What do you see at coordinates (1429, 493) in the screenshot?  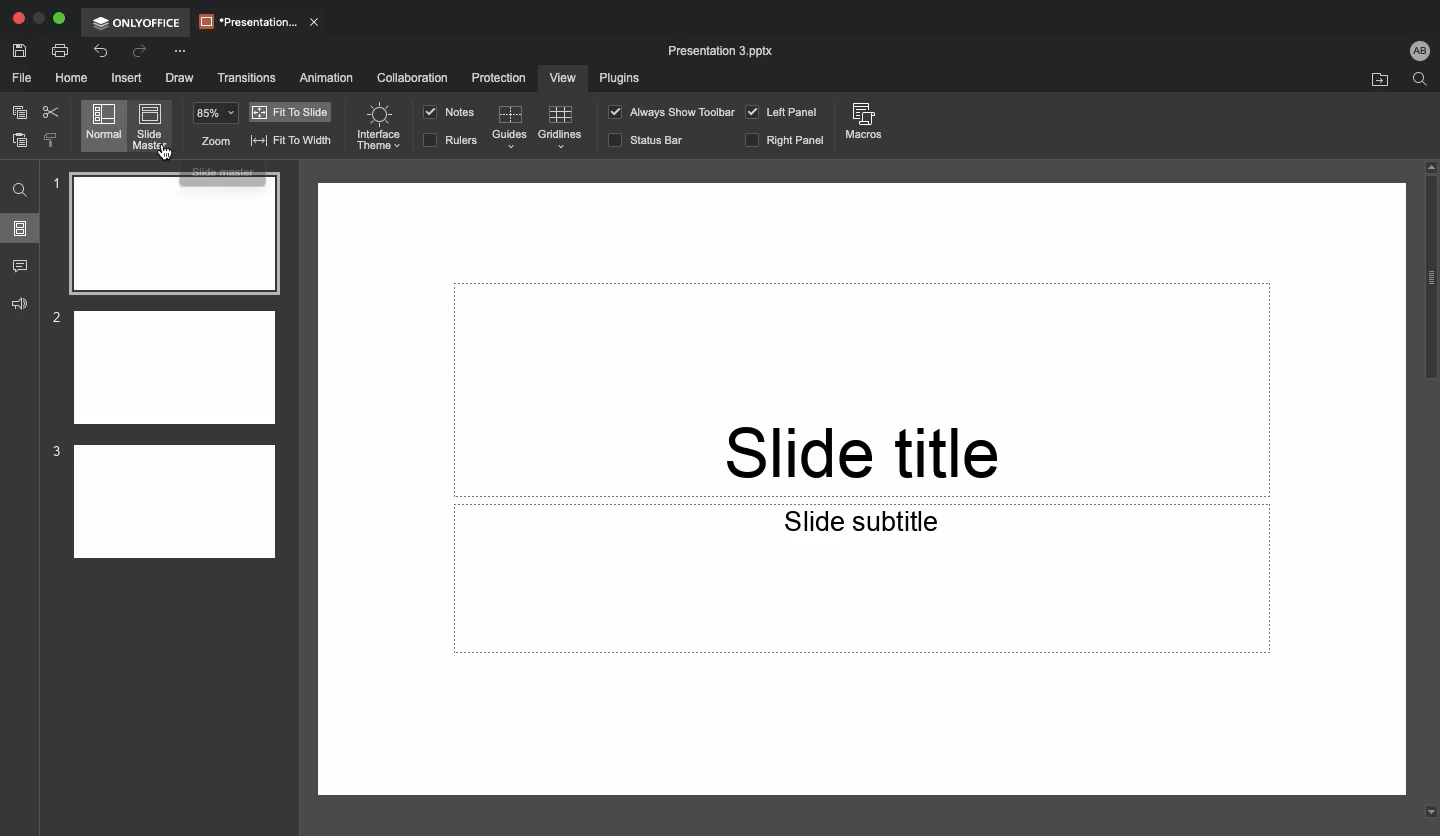 I see `Scroll bar` at bounding box center [1429, 493].